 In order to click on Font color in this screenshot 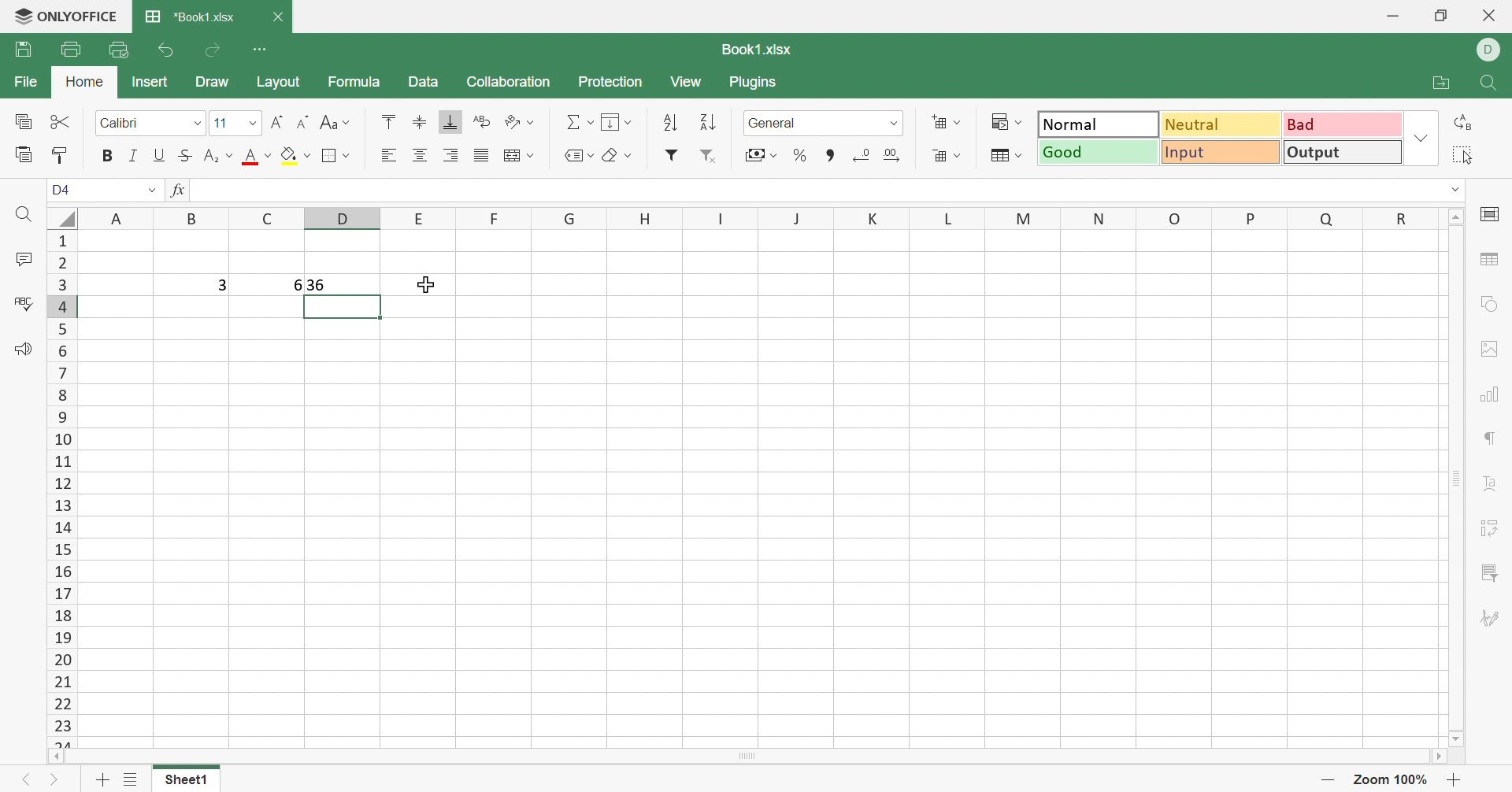, I will do `click(256, 156)`.